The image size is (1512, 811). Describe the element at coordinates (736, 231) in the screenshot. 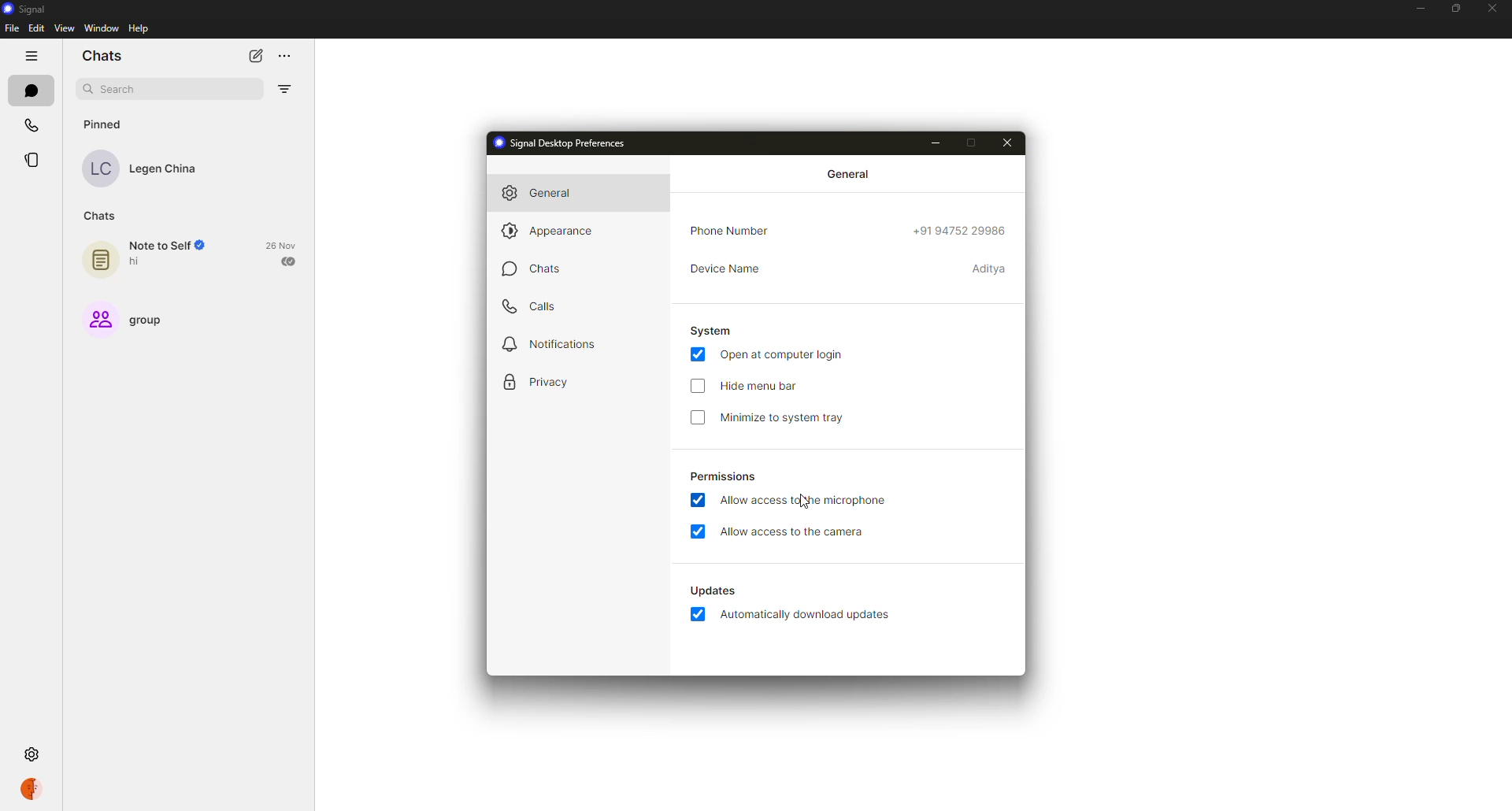

I see `phone number` at that location.